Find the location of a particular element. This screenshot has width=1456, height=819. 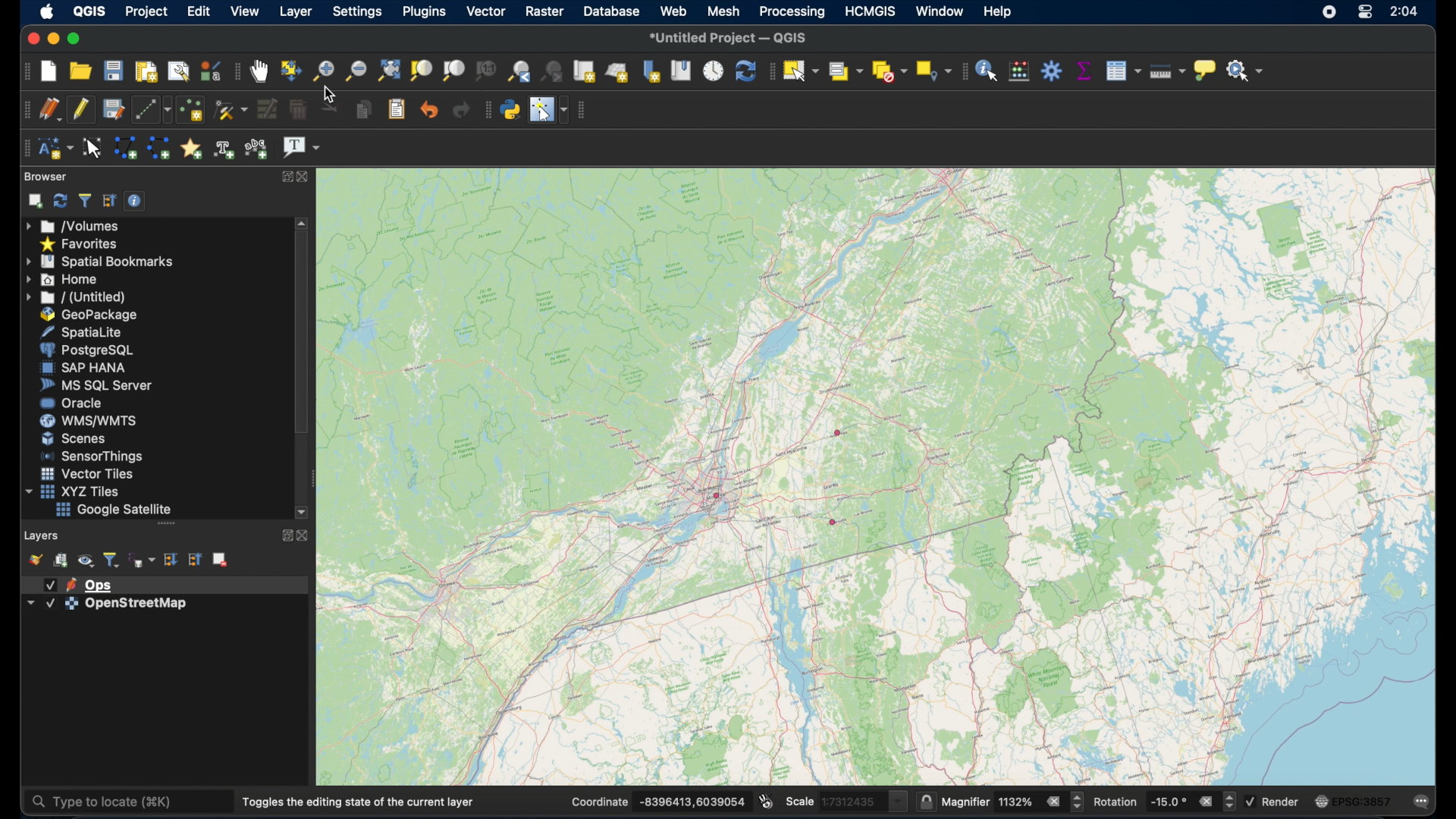

remove layer group is located at coordinates (219, 558).